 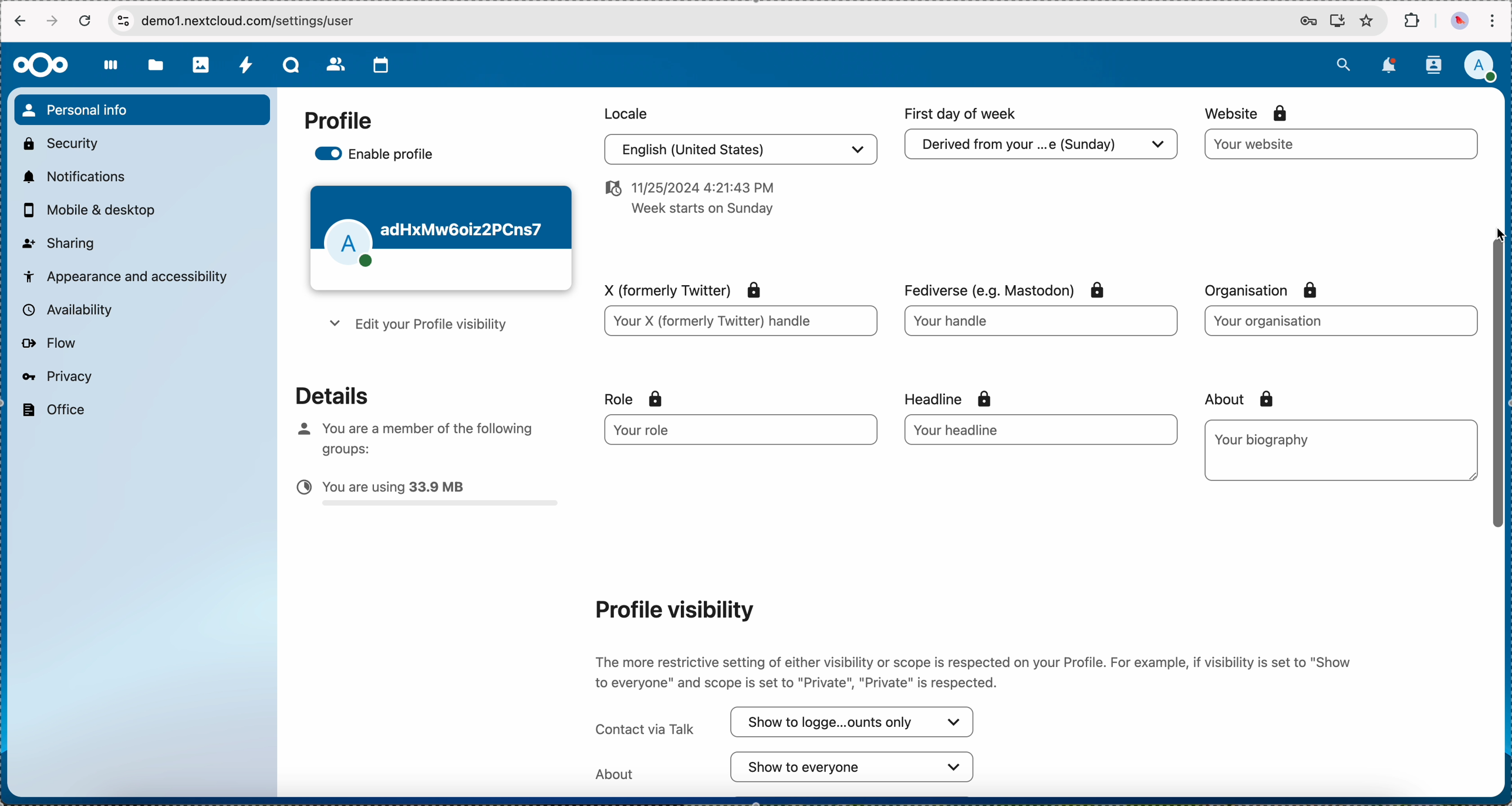 What do you see at coordinates (1248, 113) in the screenshot?
I see `website` at bounding box center [1248, 113].